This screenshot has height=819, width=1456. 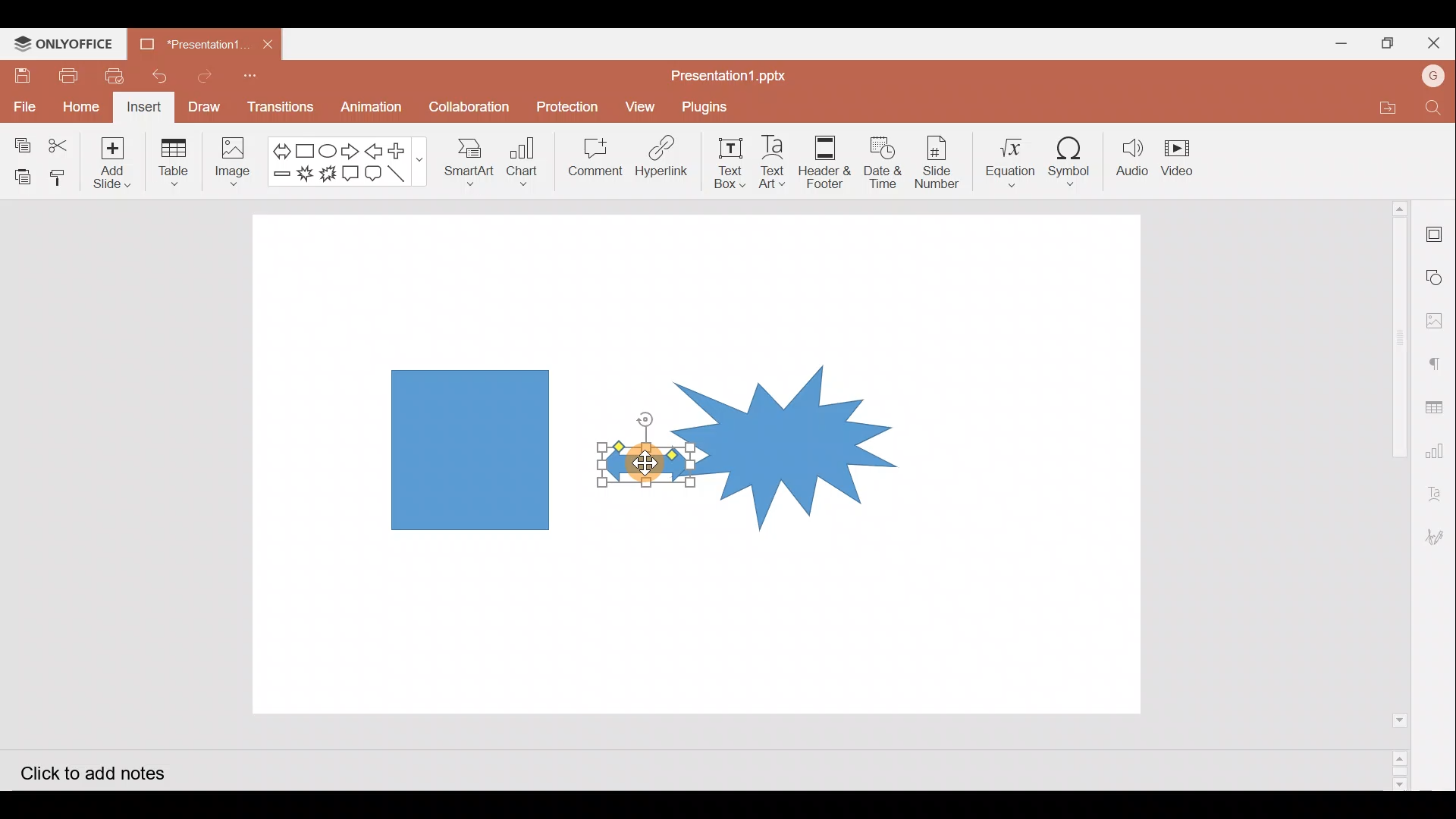 What do you see at coordinates (568, 104) in the screenshot?
I see `Protection` at bounding box center [568, 104].